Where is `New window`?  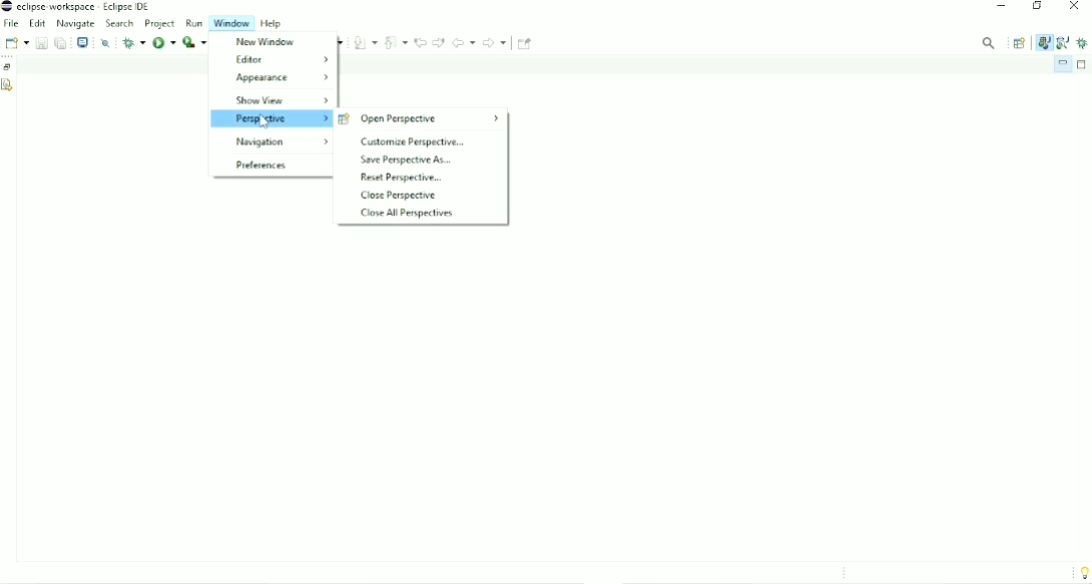 New window is located at coordinates (264, 42).